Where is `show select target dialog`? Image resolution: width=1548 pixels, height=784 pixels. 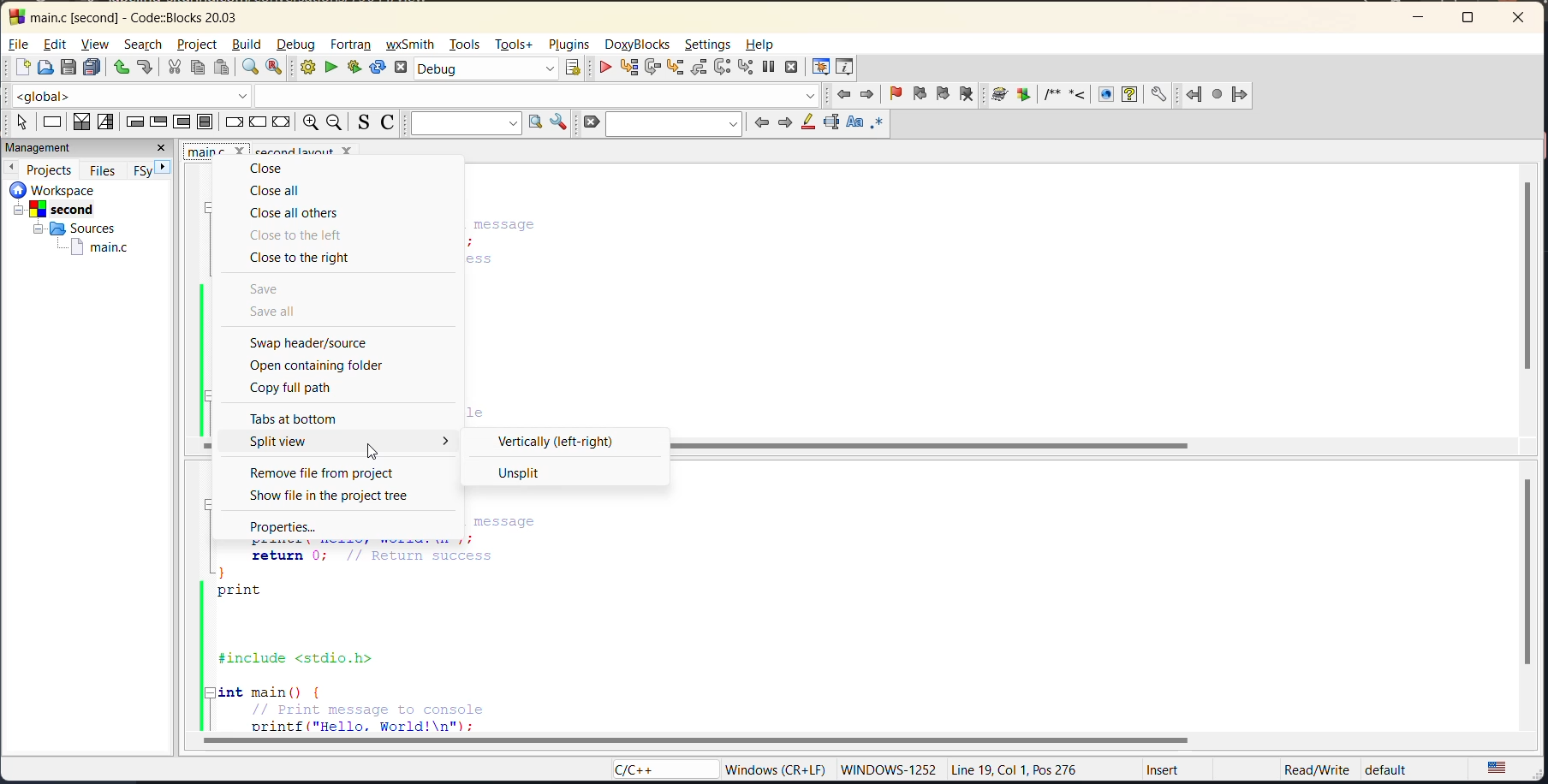
show select target dialog is located at coordinates (568, 68).